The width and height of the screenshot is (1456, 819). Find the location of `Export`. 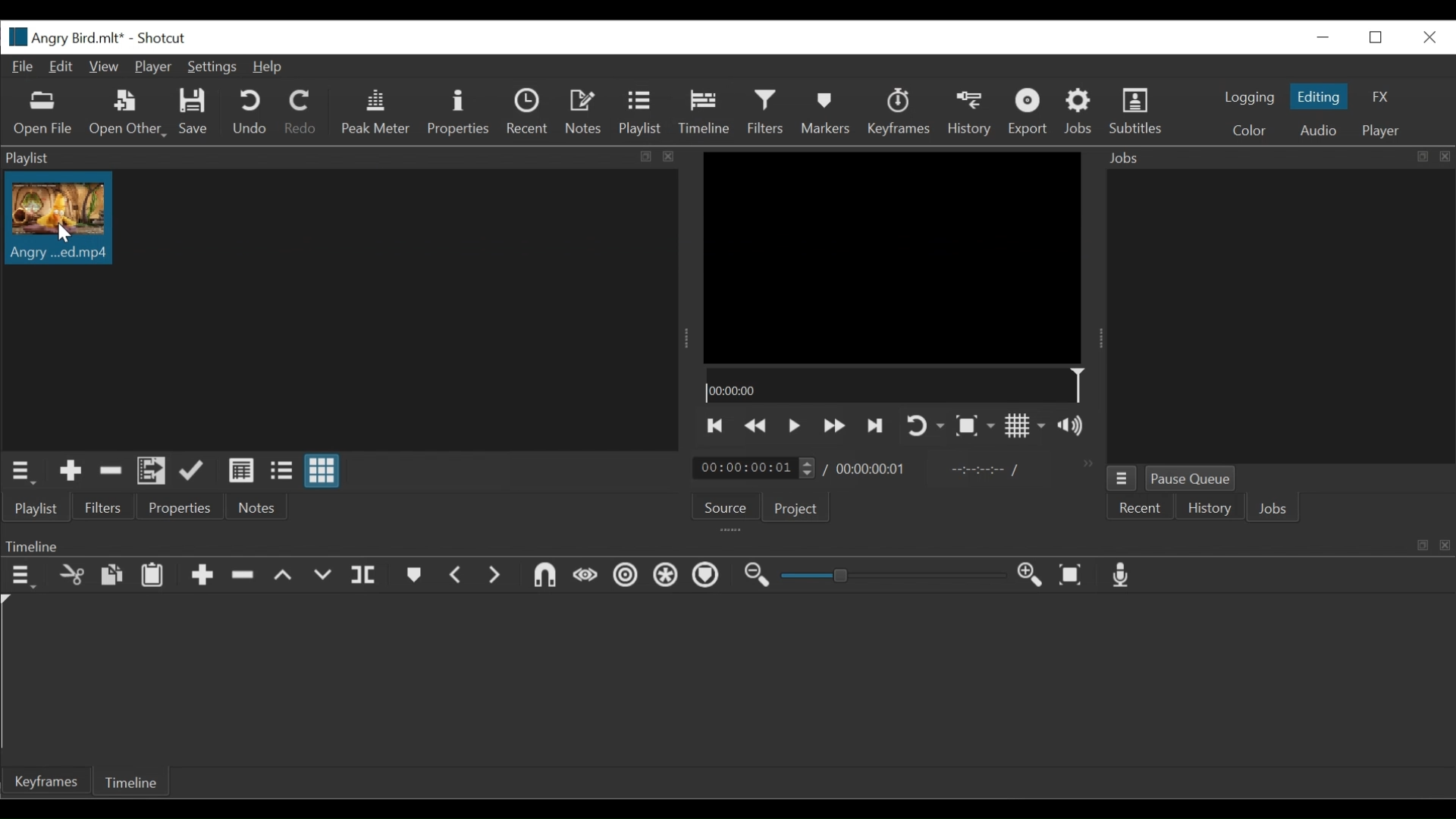

Export is located at coordinates (1028, 114).